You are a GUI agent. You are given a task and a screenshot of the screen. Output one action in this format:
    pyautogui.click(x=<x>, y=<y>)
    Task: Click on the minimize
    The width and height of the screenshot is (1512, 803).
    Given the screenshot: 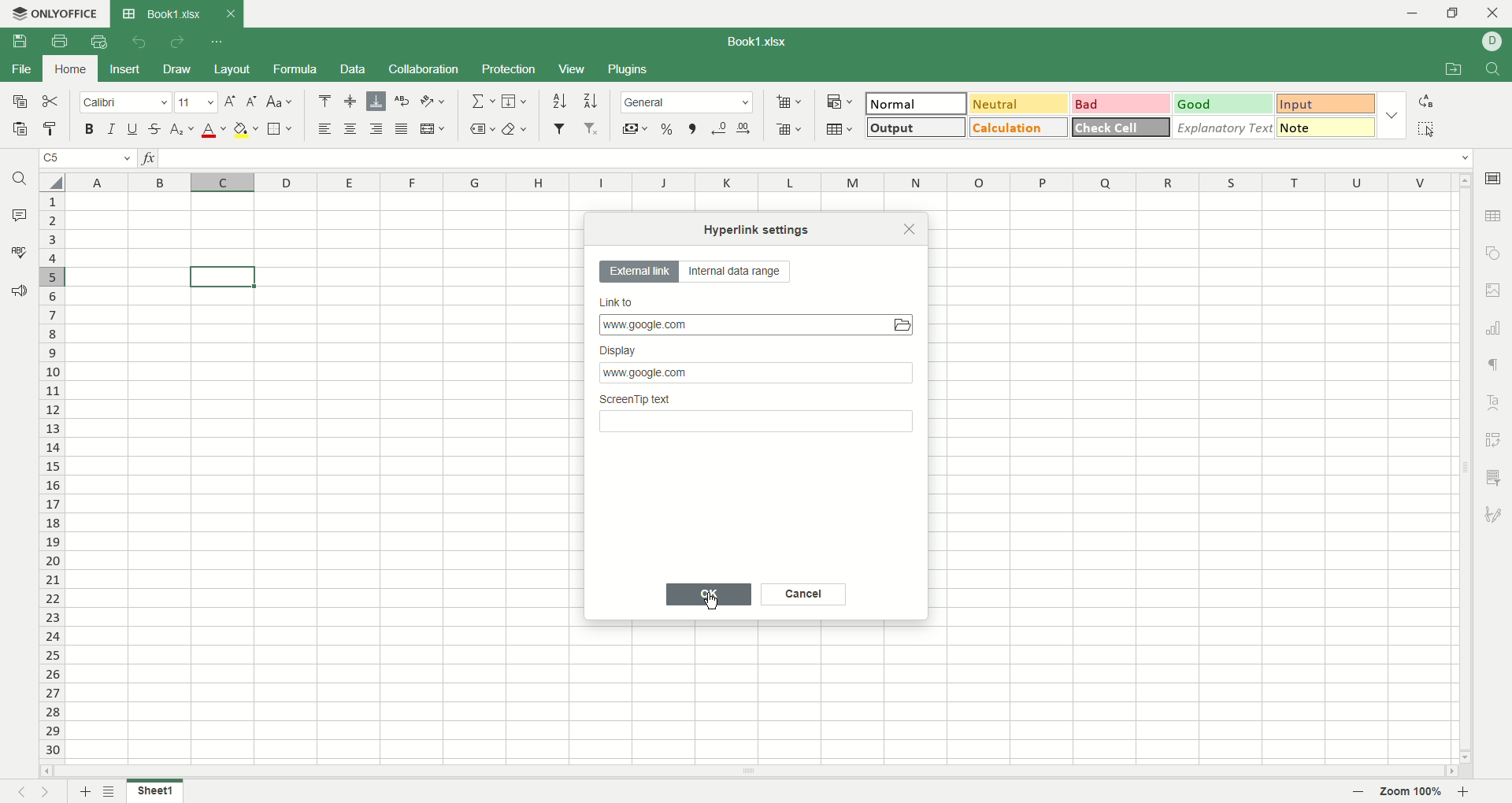 What is the action you would take?
    pyautogui.click(x=1406, y=13)
    